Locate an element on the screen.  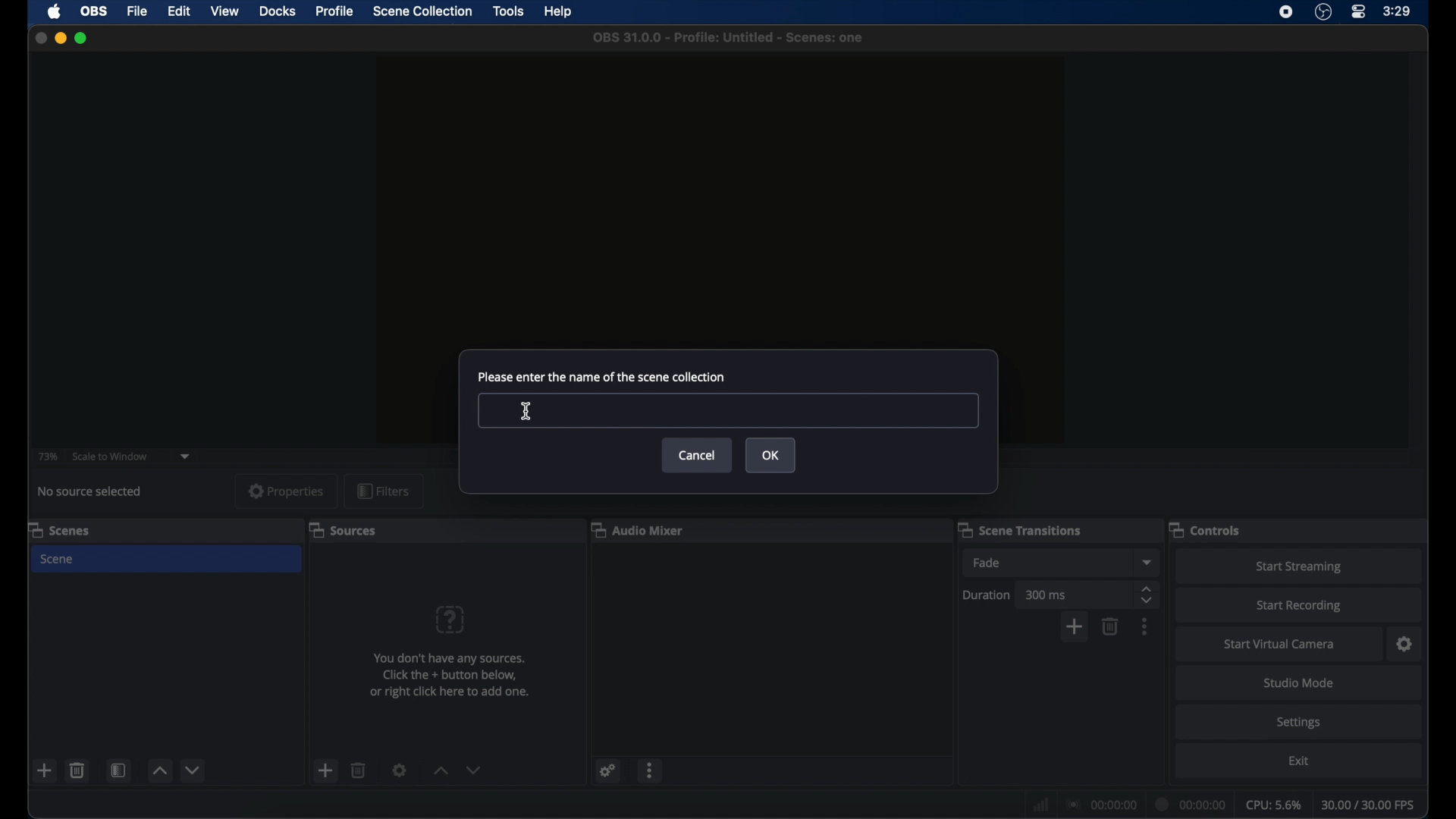
add is located at coordinates (325, 770).